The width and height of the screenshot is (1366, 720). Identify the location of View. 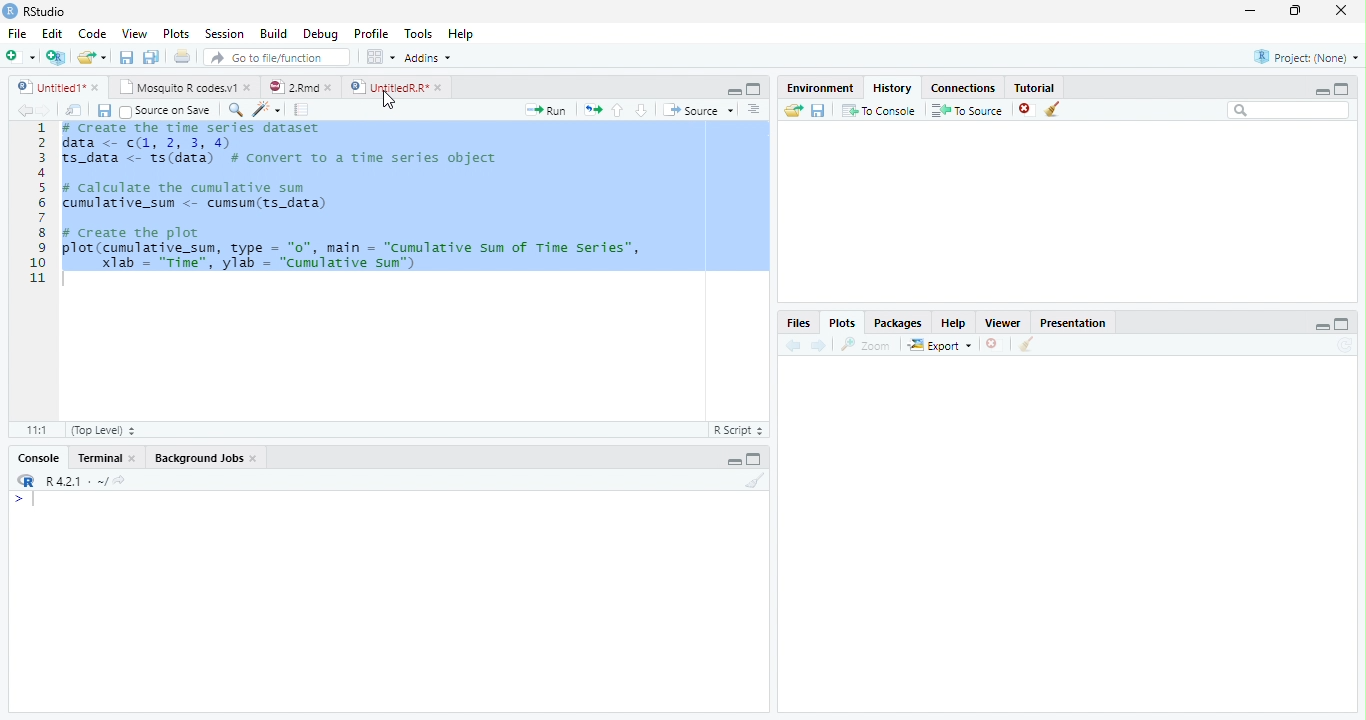
(134, 33).